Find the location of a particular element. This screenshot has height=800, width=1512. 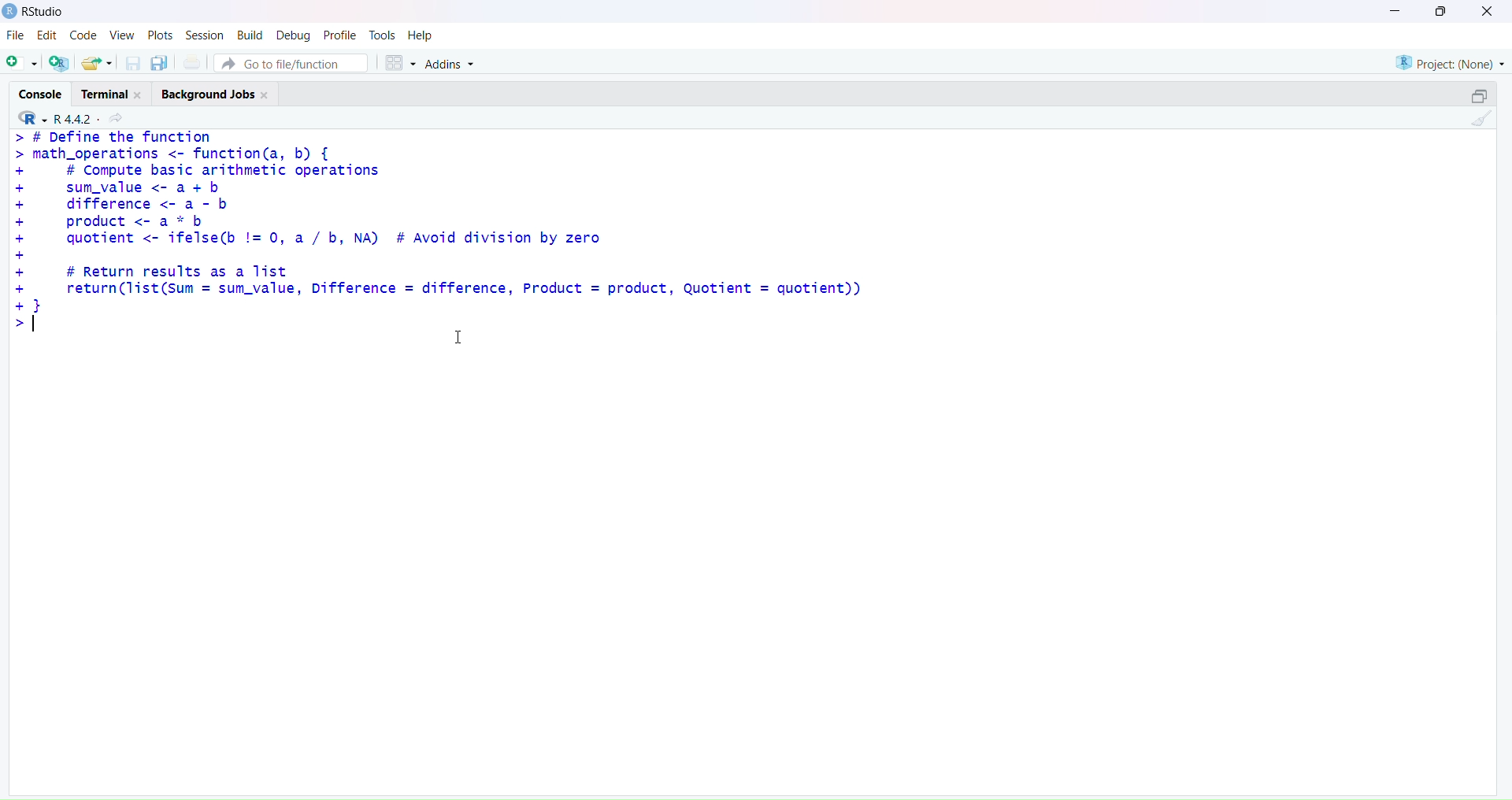

Addins is located at coordinates (451, 65).